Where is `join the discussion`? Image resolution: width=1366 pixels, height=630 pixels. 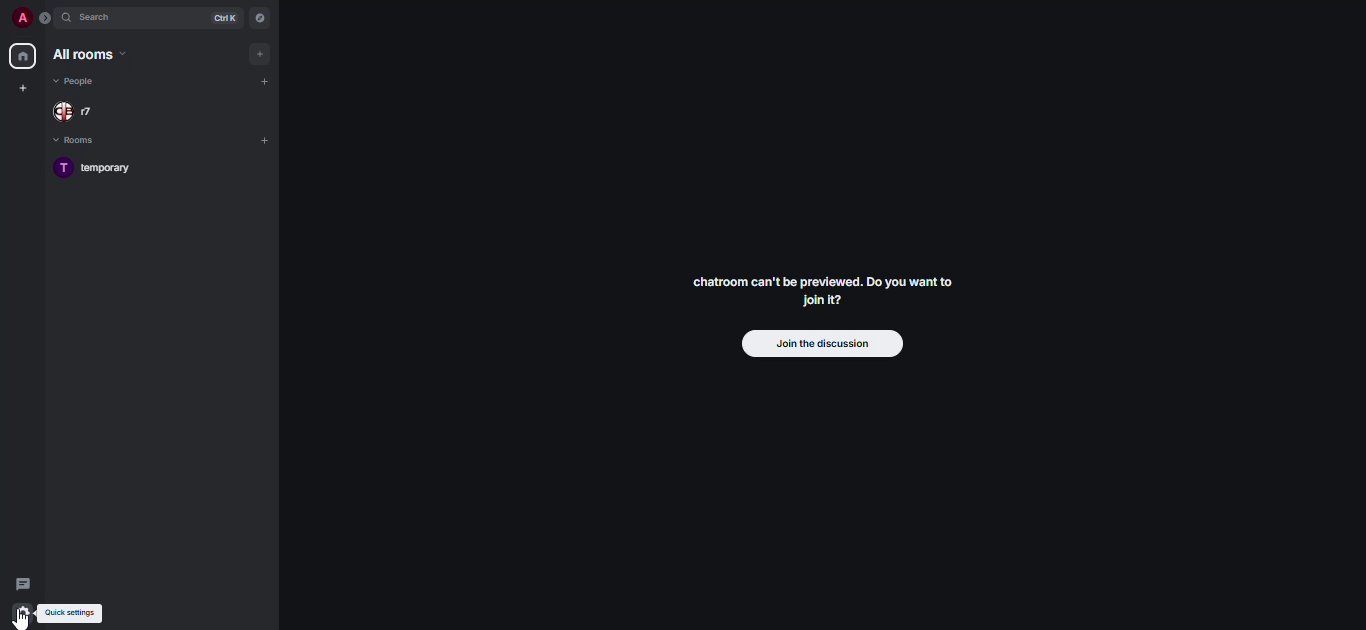
join the discussion is located at coordinates (822, 342).